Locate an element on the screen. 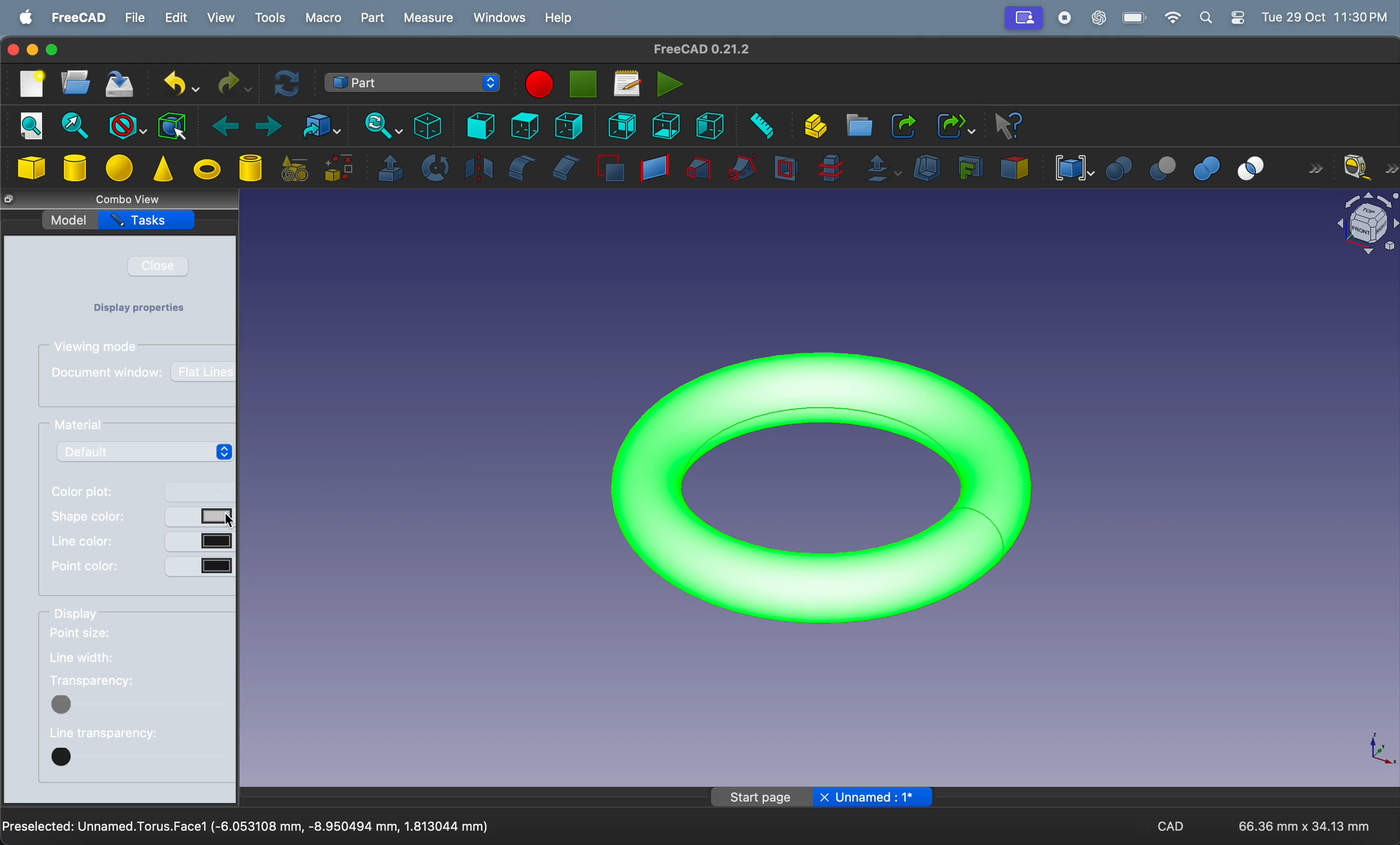  execute marcos is located at coordinates (670, 83).